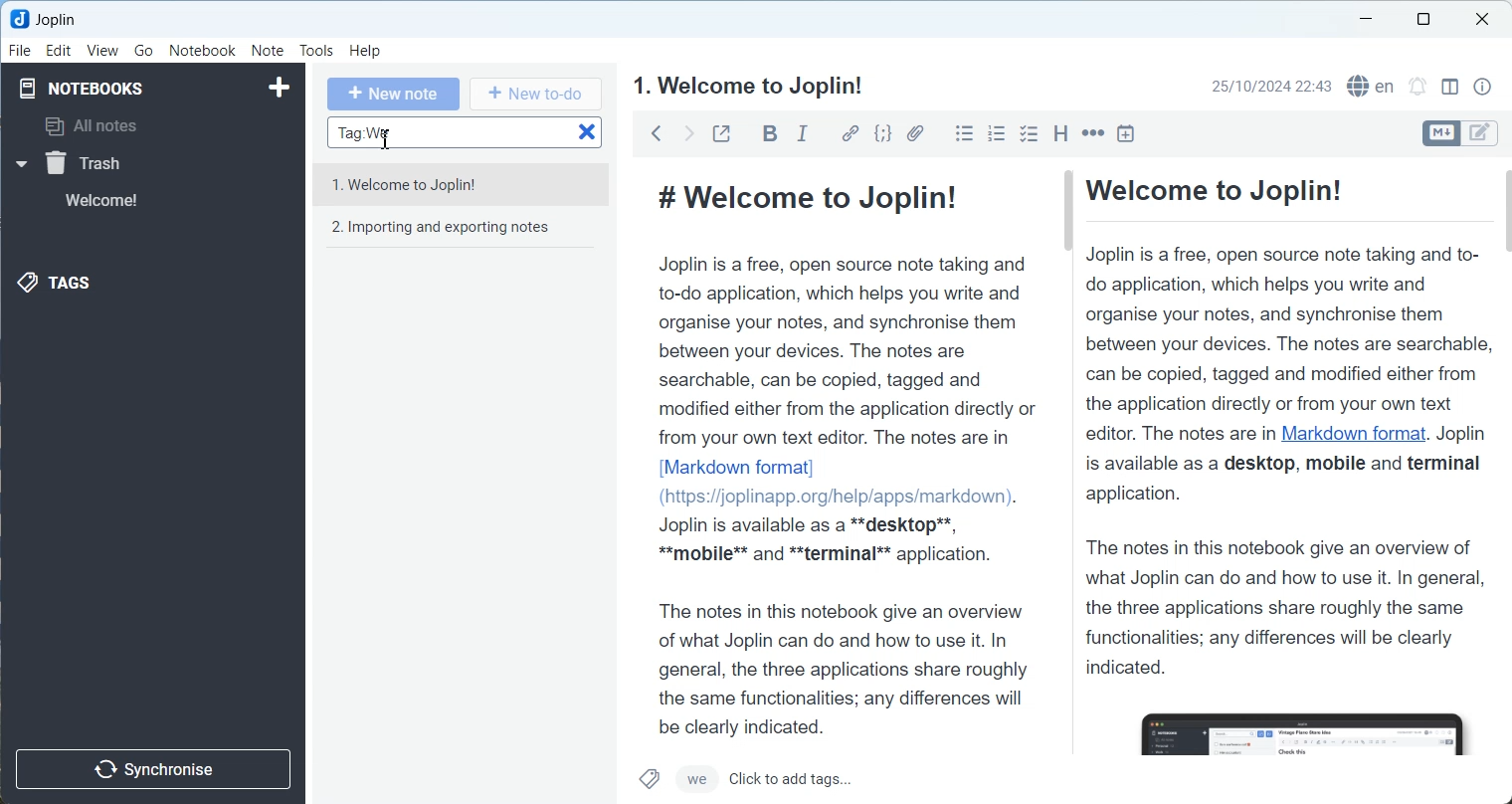  Describe the element at coordinates (459, 233) in the screenshot. I see `importing and exporting Notes` at that location.